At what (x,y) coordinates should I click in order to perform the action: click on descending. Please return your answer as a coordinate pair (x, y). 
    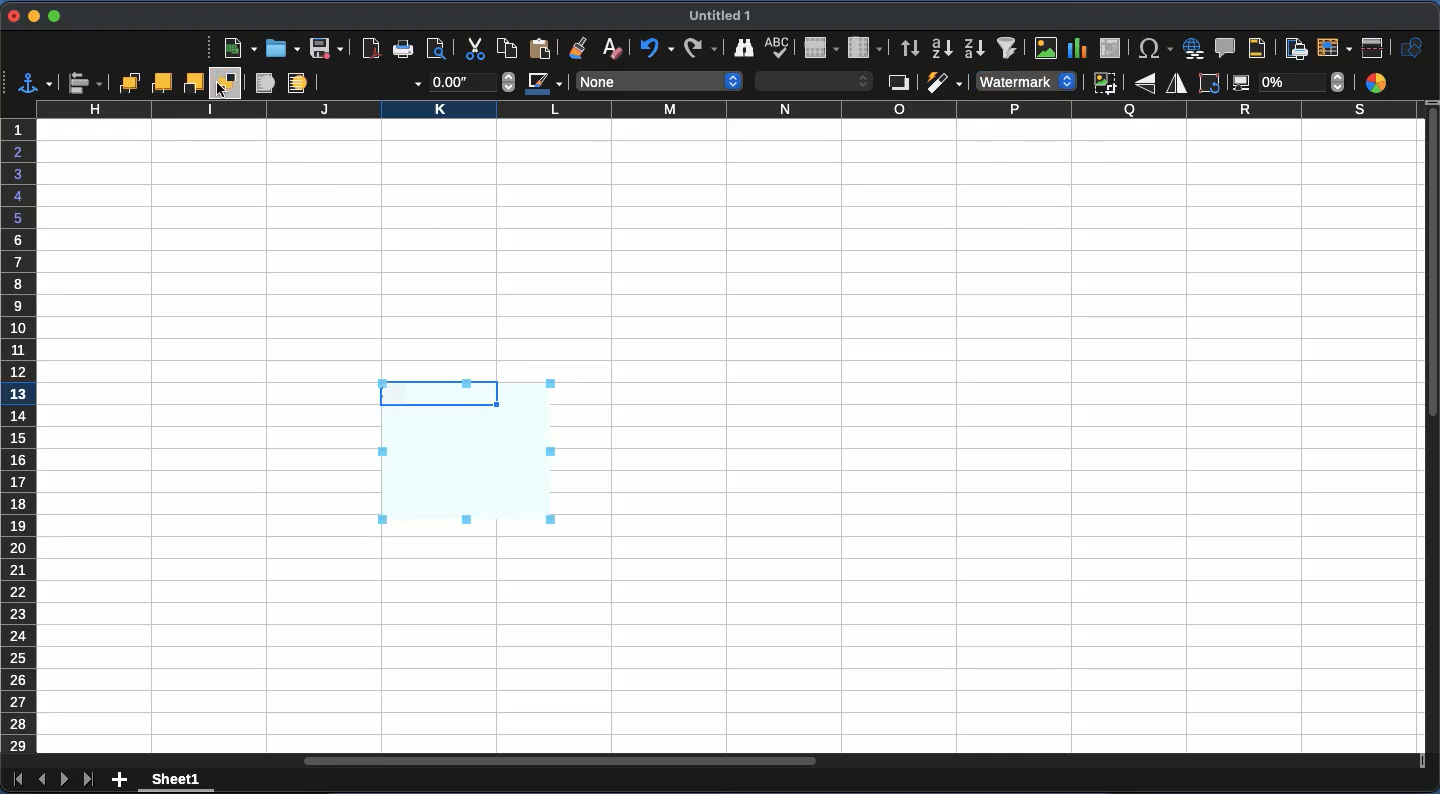
    Looking at the image, I should click on (974, 48).